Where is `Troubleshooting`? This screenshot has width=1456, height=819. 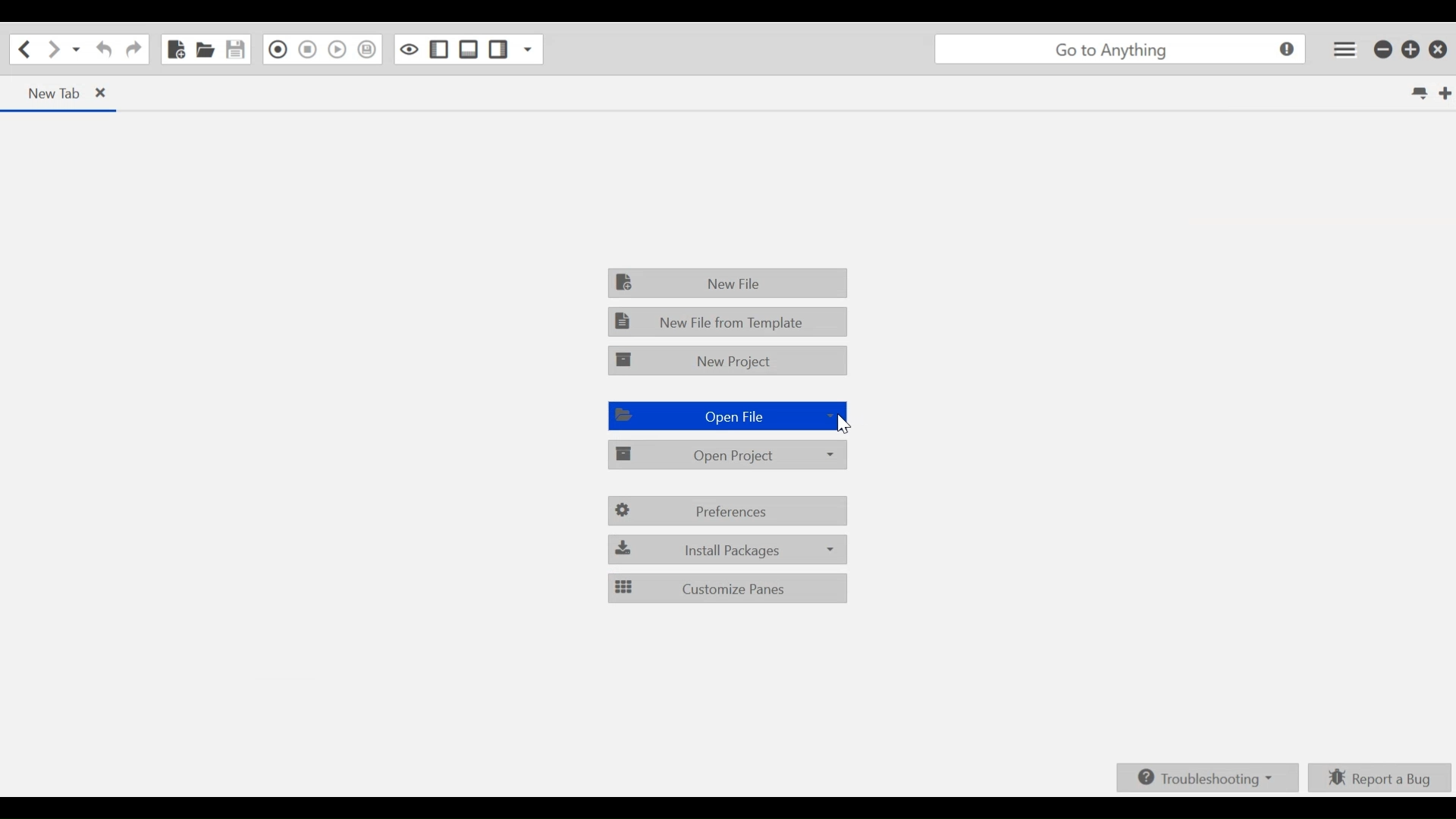
Troubleshooting is located at coordinates (1208, 778).